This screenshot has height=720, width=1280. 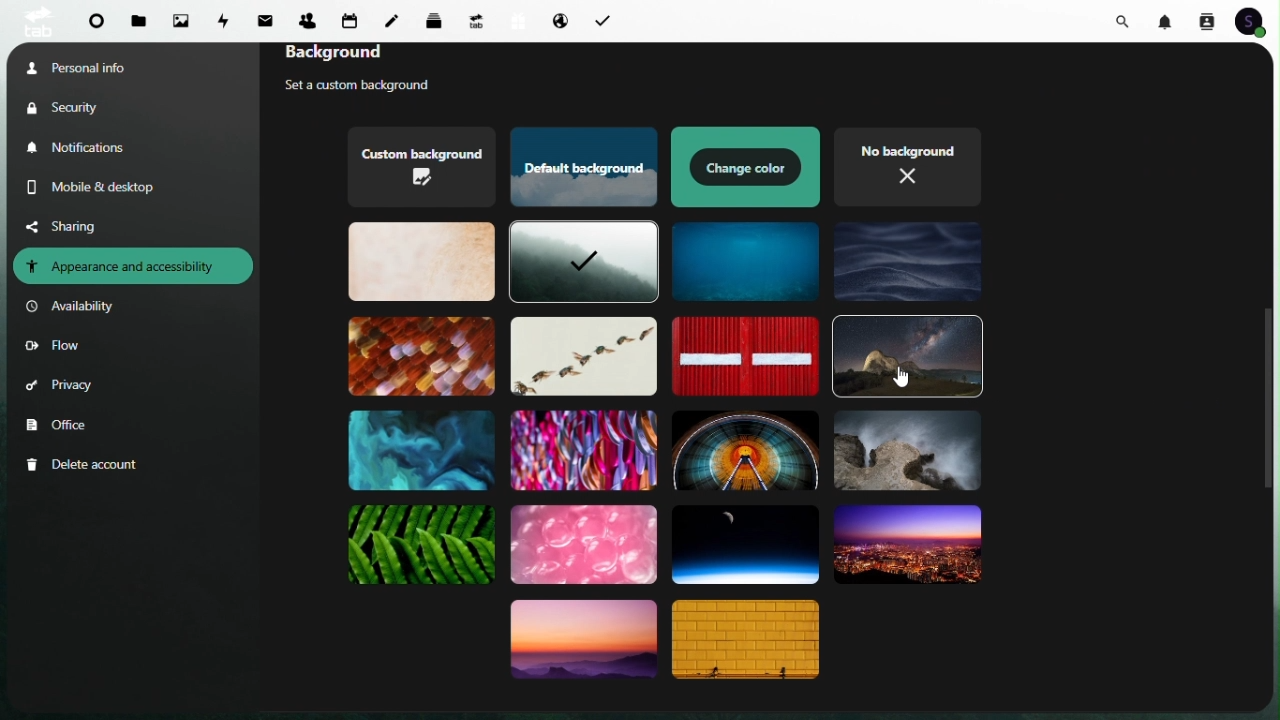 I want to click on Themes, so click(x=422, y=449).